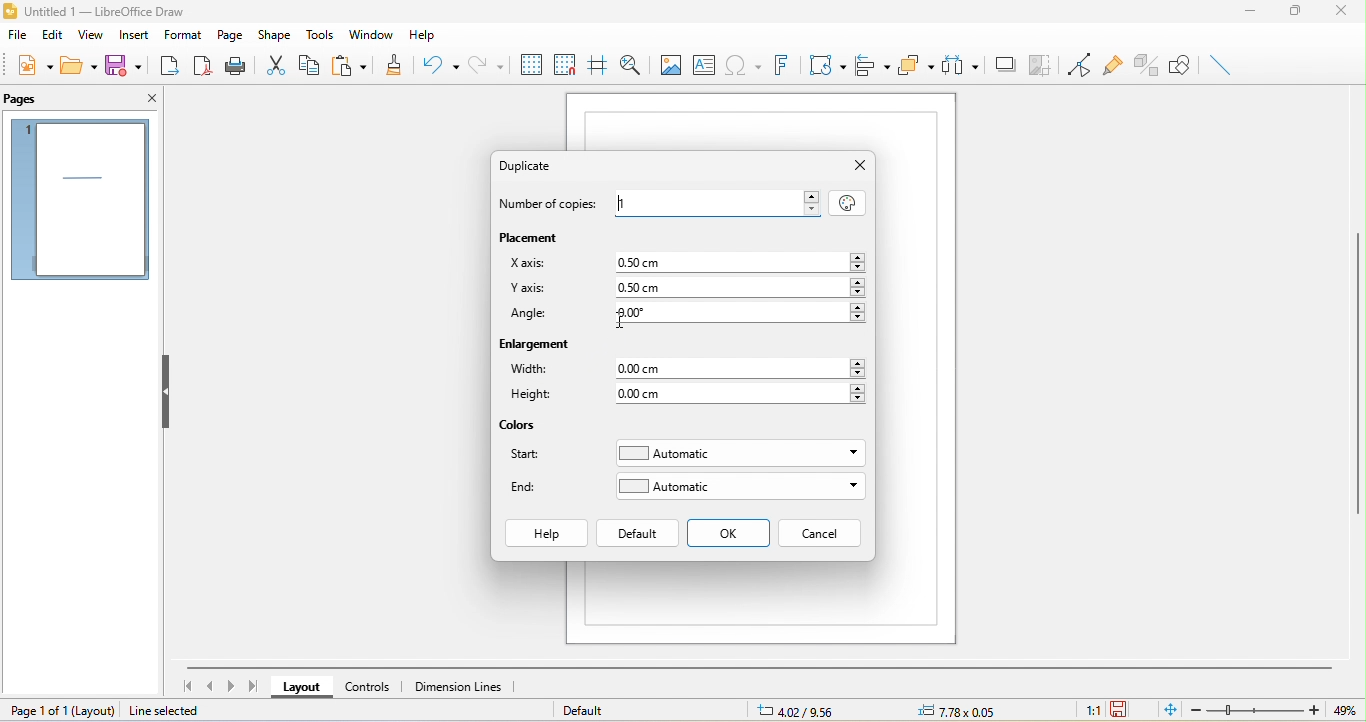 The image size is (1366, 722). What do you see at coordinates (962, 68) in the screenshot?
I see `select at least three object to distribute` at bounding box center [962, 68].